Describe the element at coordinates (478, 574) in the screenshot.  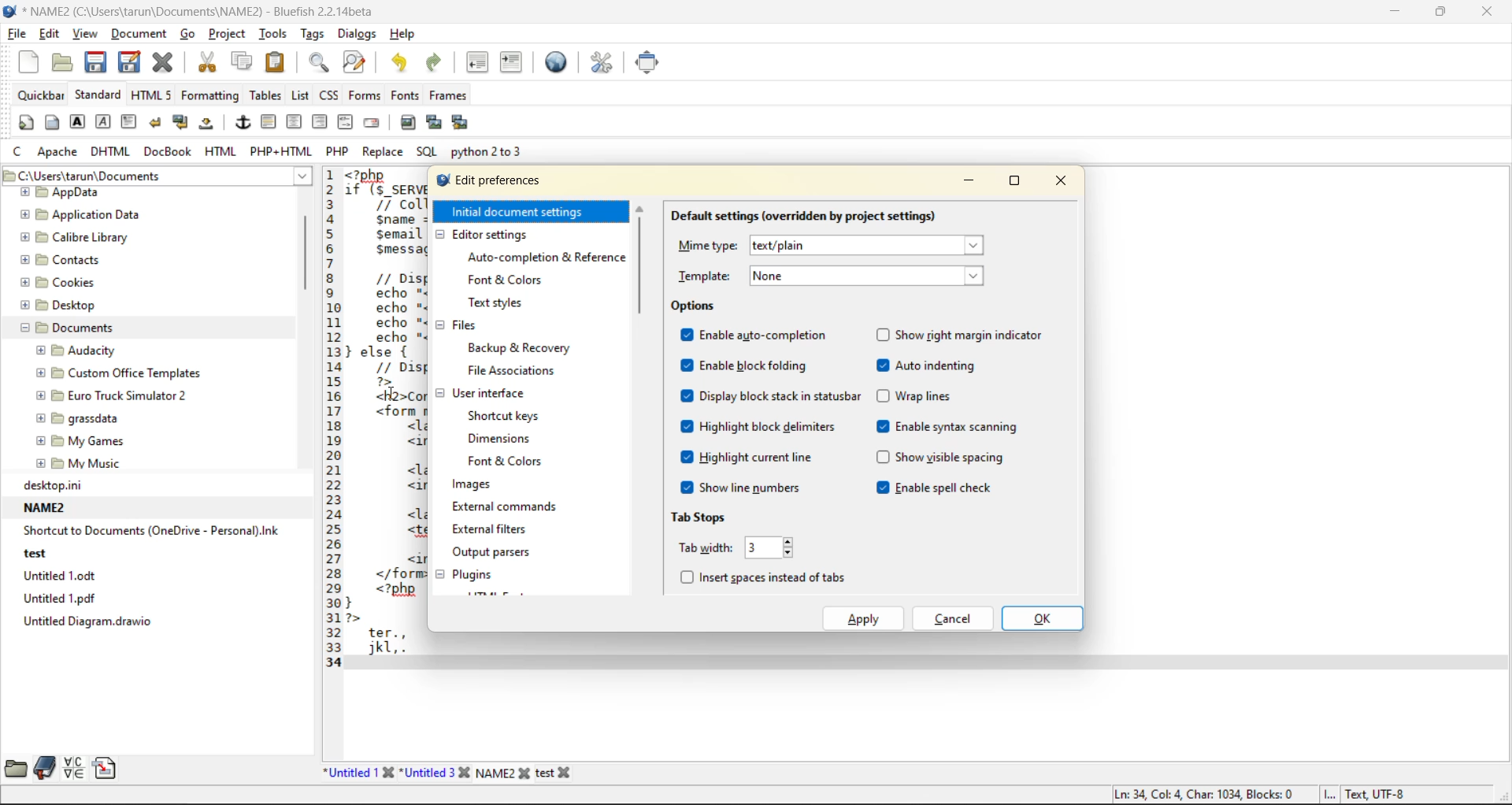
I see `plugins` at that location.